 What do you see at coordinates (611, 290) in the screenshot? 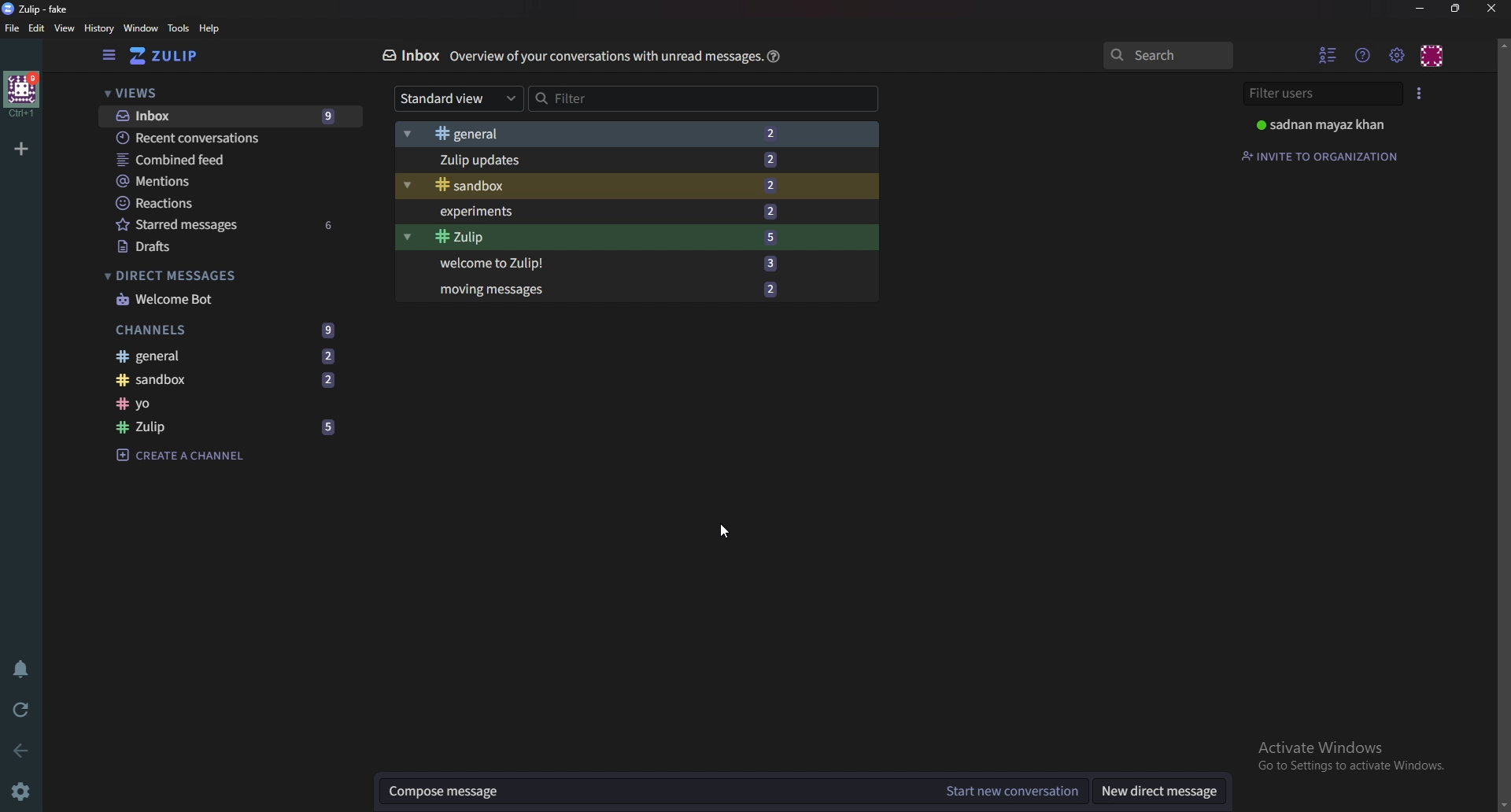
I see `Moving messages` at bounding box center [611, 290].